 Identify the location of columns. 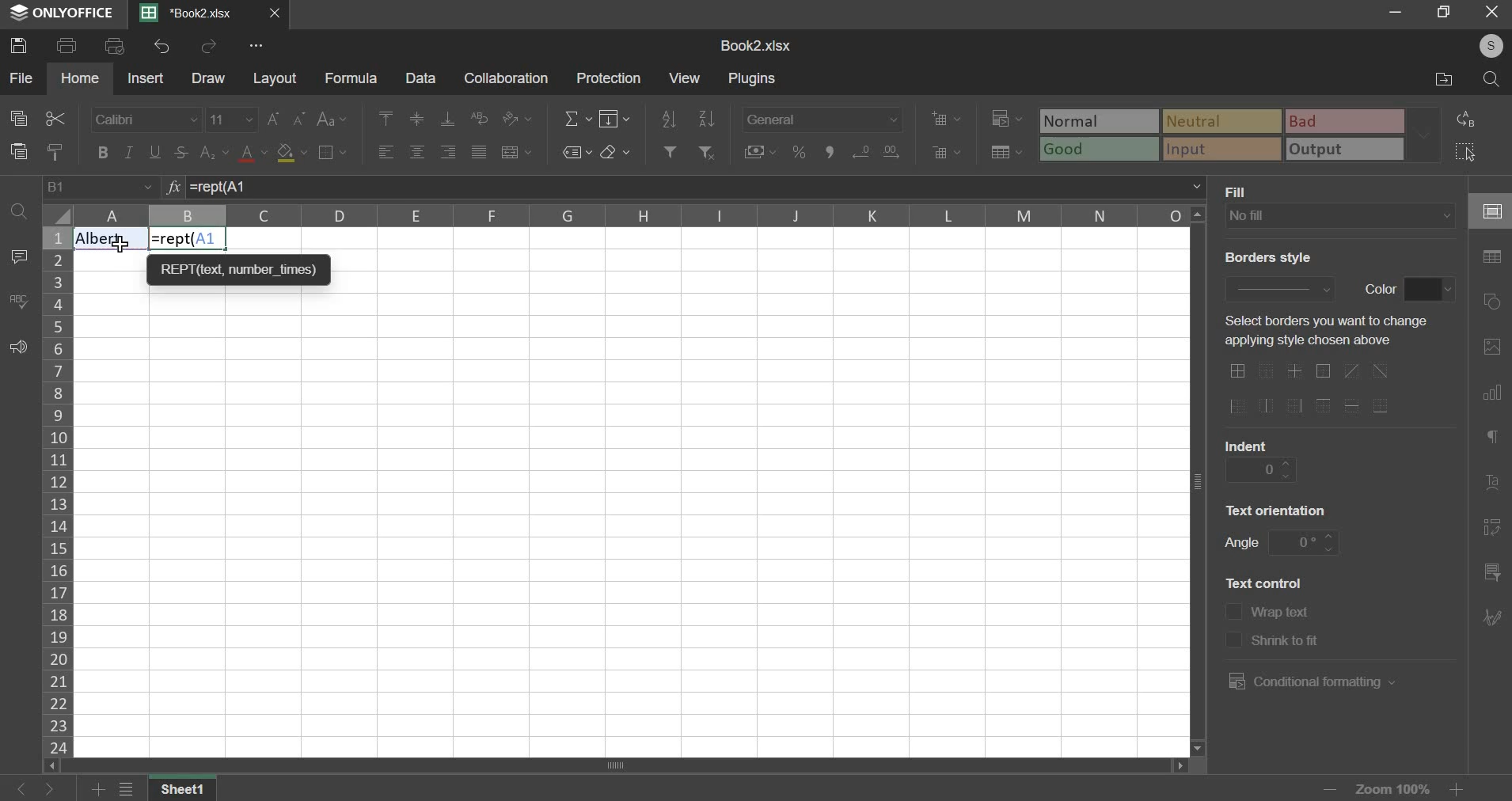
(630, 215).